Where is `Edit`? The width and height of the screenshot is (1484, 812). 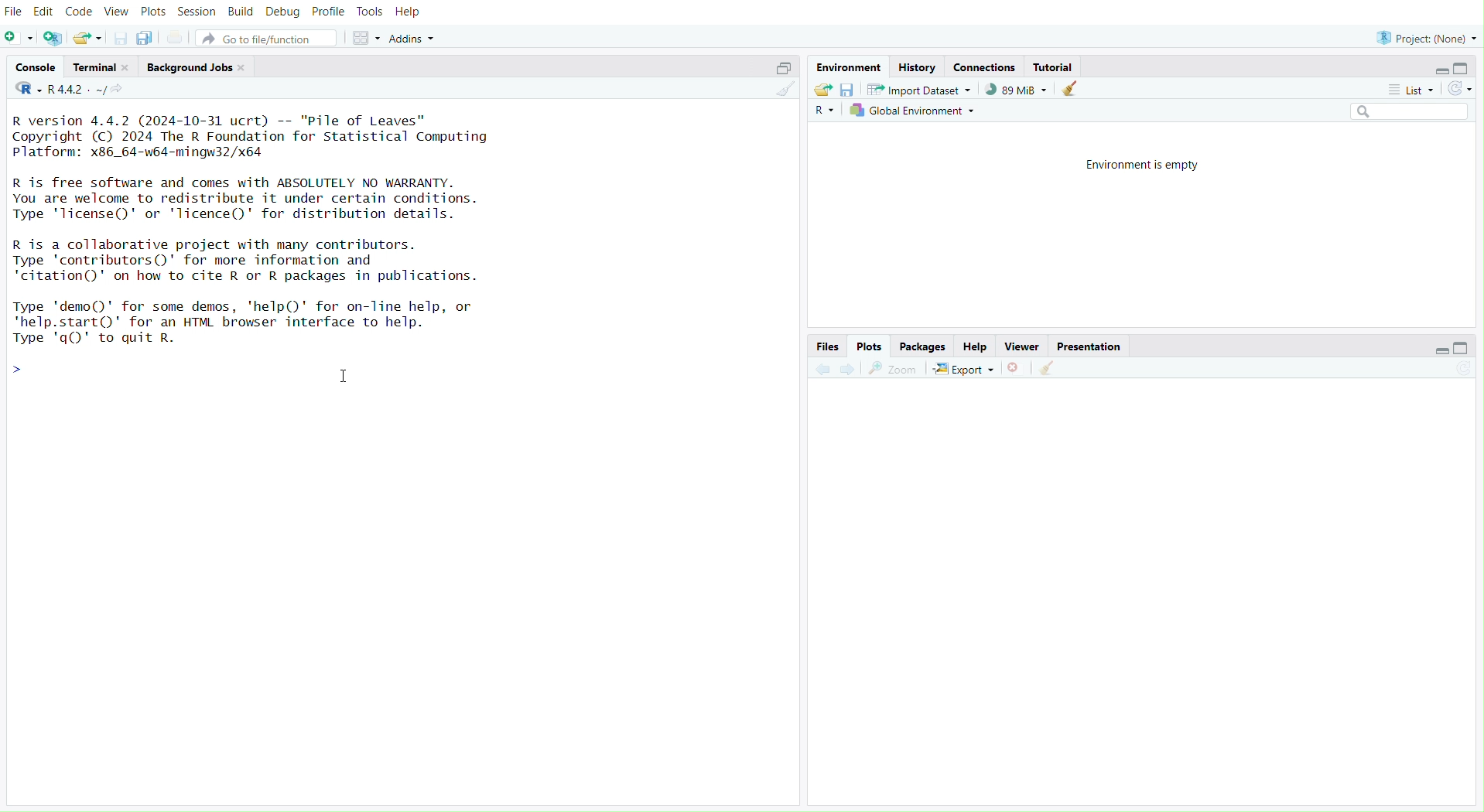
Edit is located at coordinates (45, 12).